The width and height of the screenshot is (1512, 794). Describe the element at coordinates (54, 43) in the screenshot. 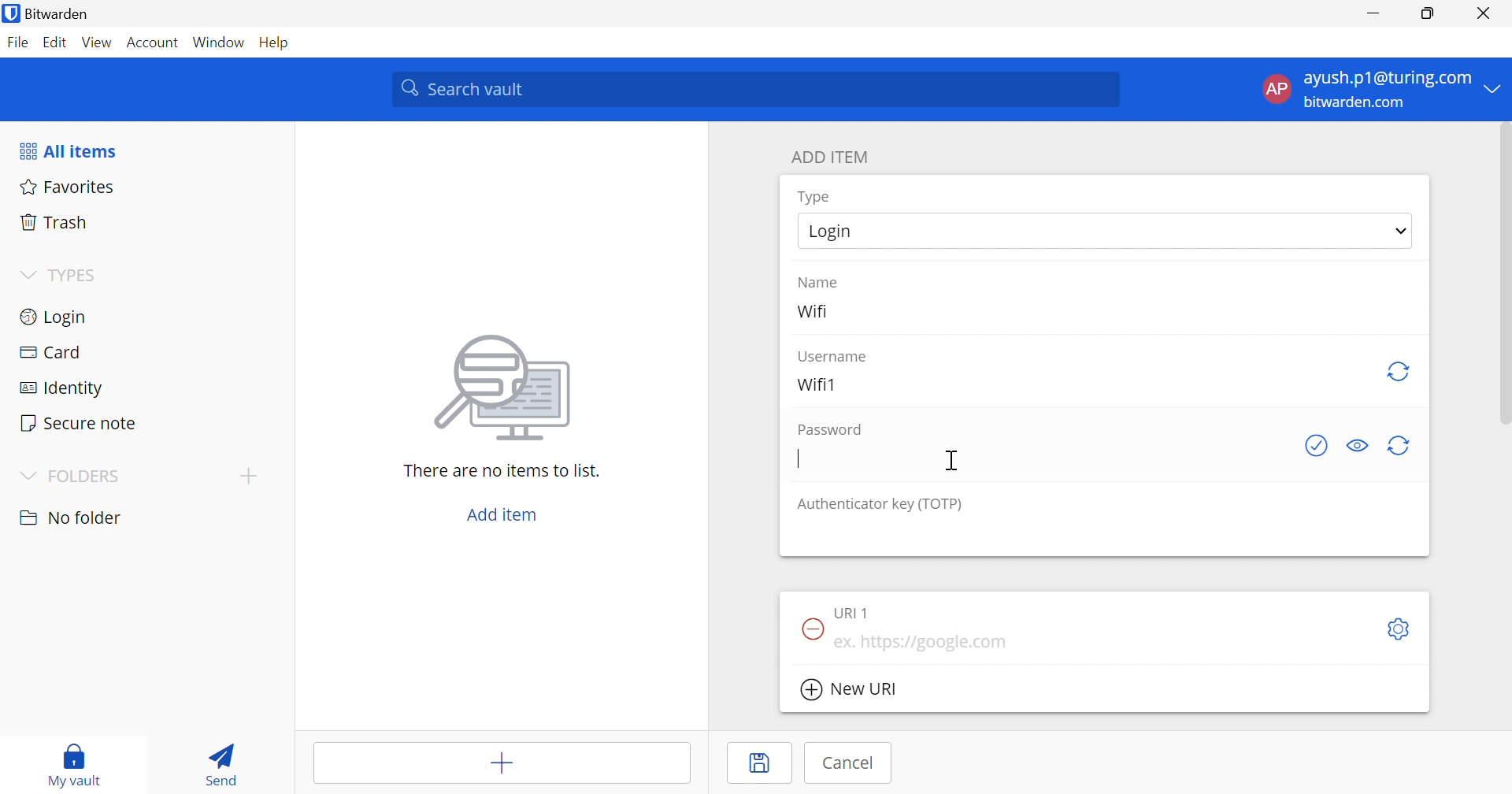

I see `Edit` at that location.